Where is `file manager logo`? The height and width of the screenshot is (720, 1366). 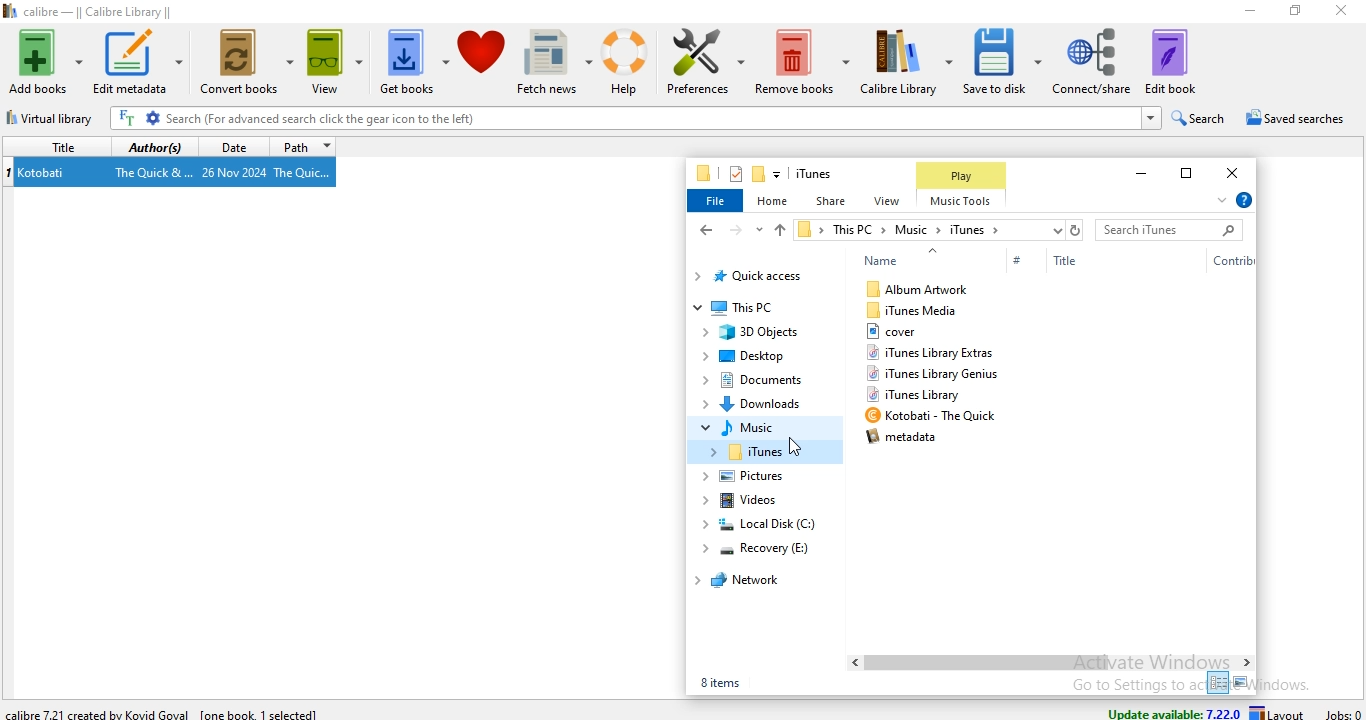 file manager logo is located at coordinates (705, 173).